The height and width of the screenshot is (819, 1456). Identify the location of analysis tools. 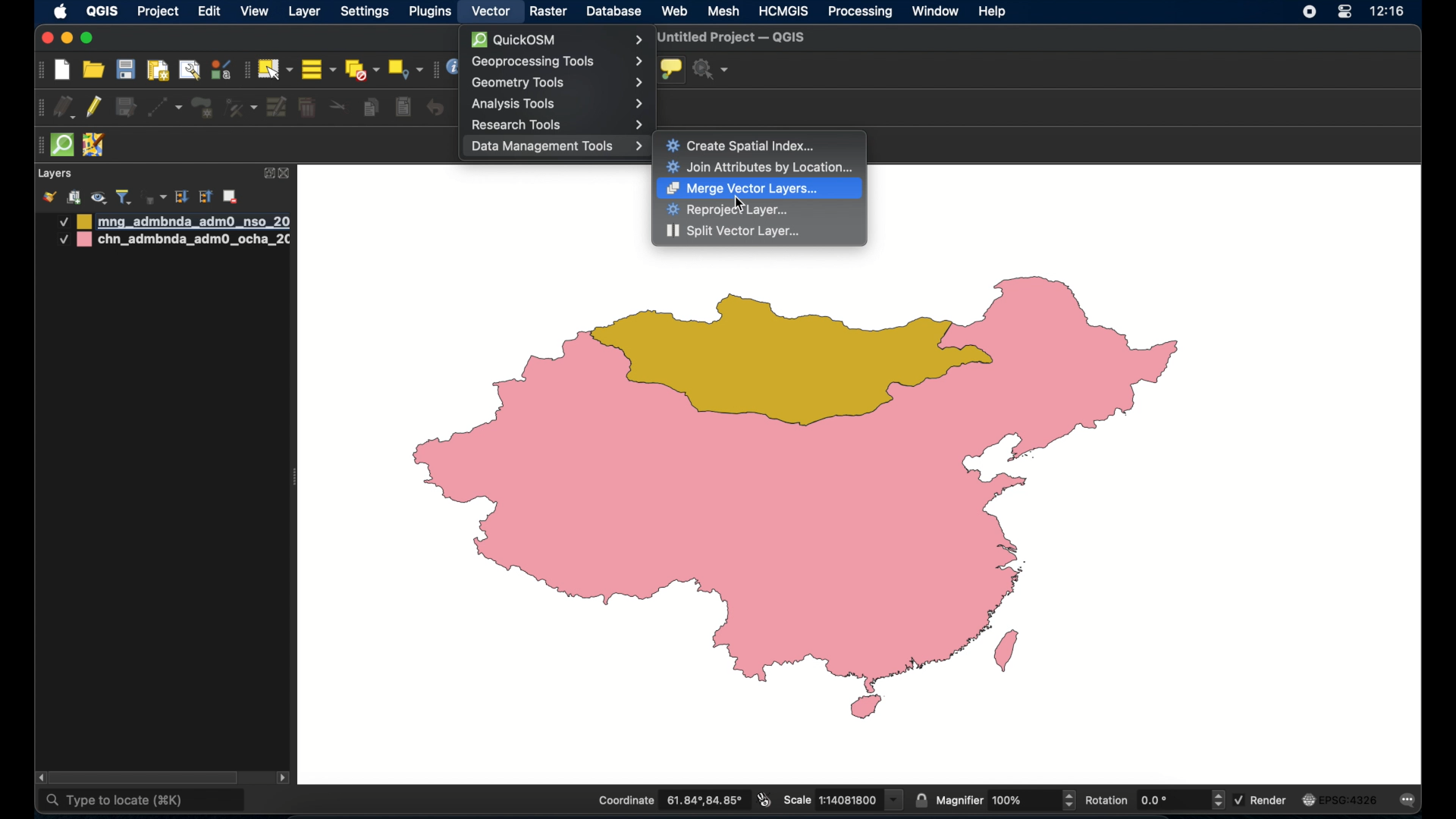
(557, 103).